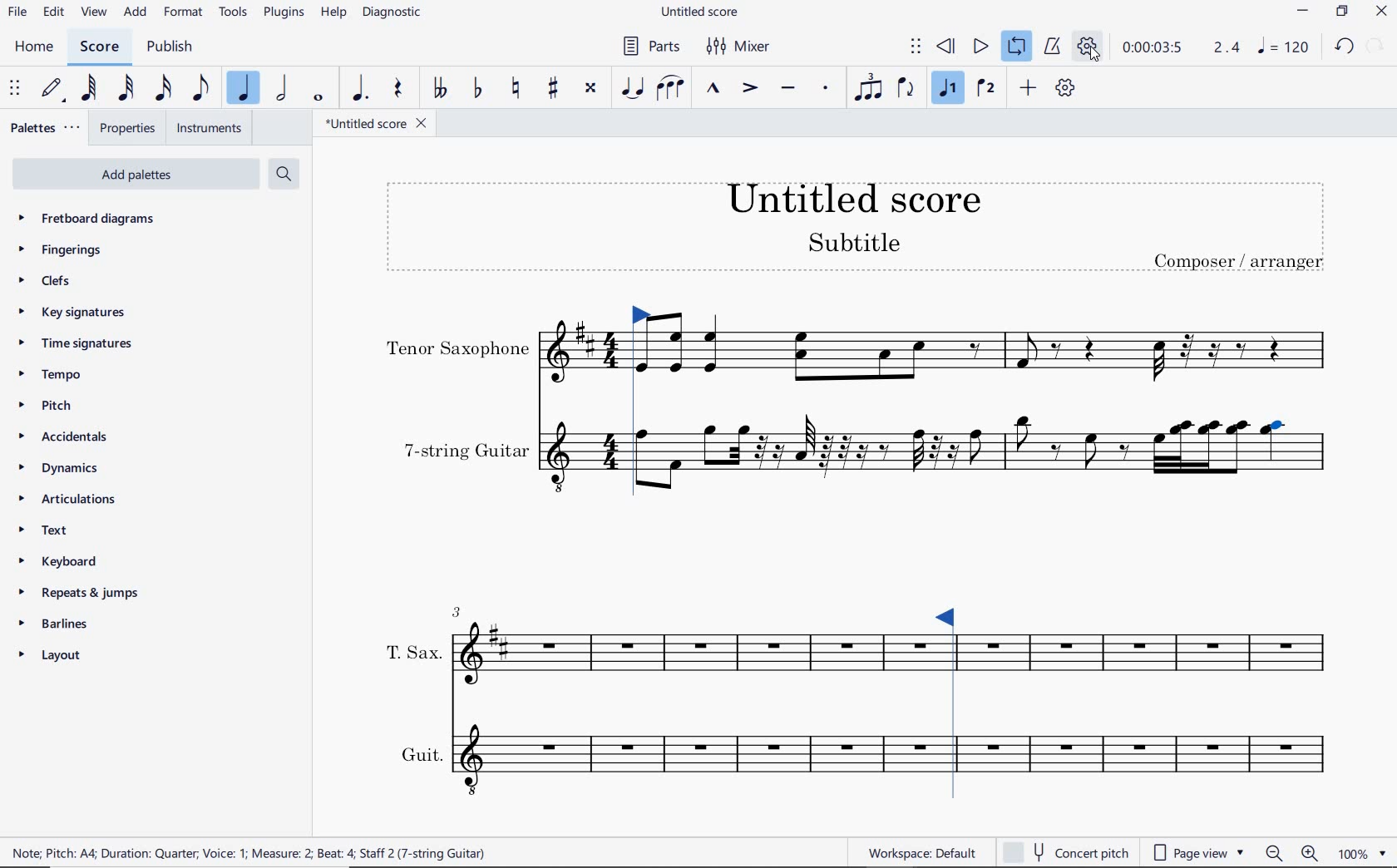 Image resolution: width=1397 pixels, height=868 pixels. What do you see at coordinates (906, 89) in the screenshot?
I see `FLIP DIRECTION` at bounding box center [906, 89].